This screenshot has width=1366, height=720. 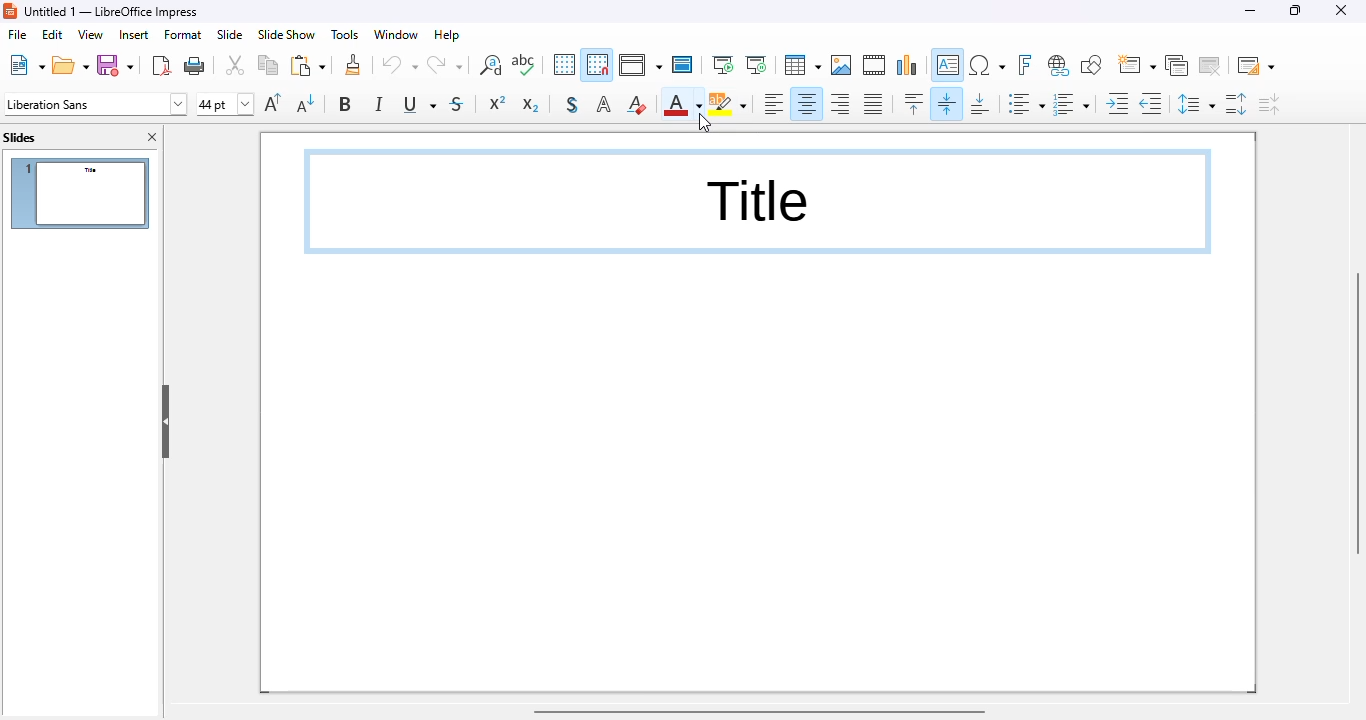 I want to click on vertical scroll bar, so click(x=1354, y=413).